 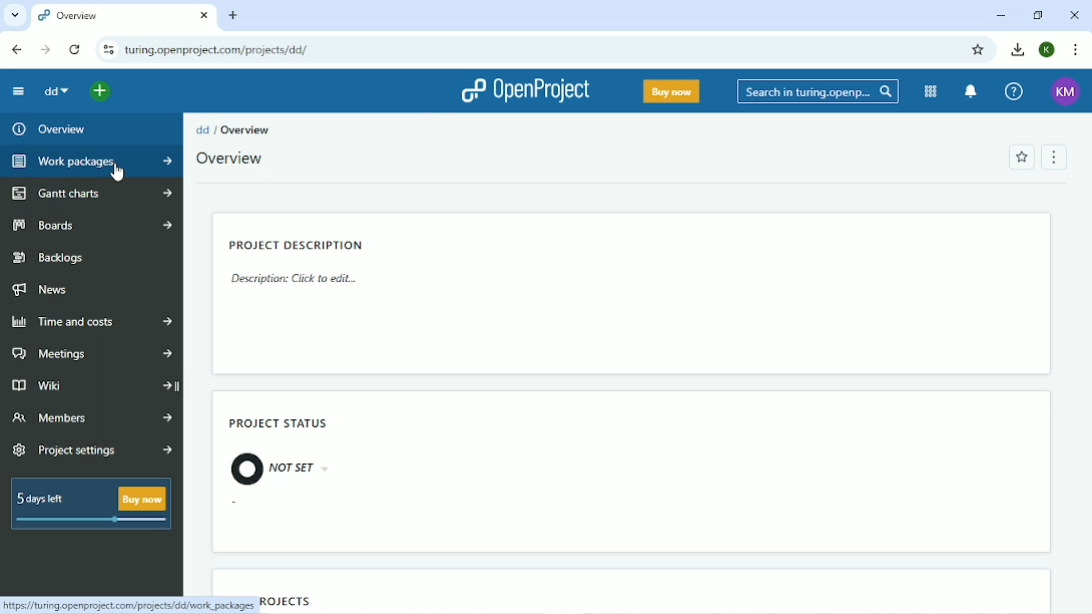 I want to click on Customize and control google chrome, so click(x=1078, y=50).